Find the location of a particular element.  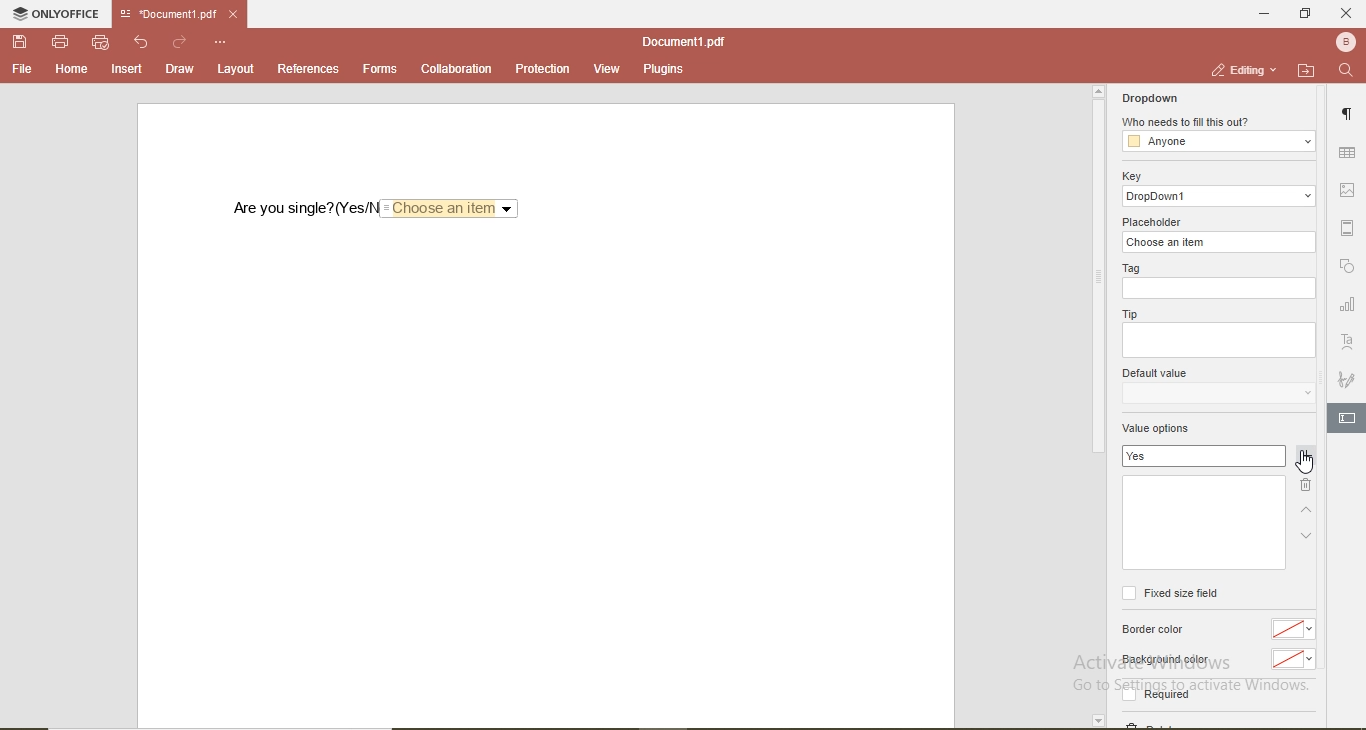

paragraph is located at coordinates (1350, 109).